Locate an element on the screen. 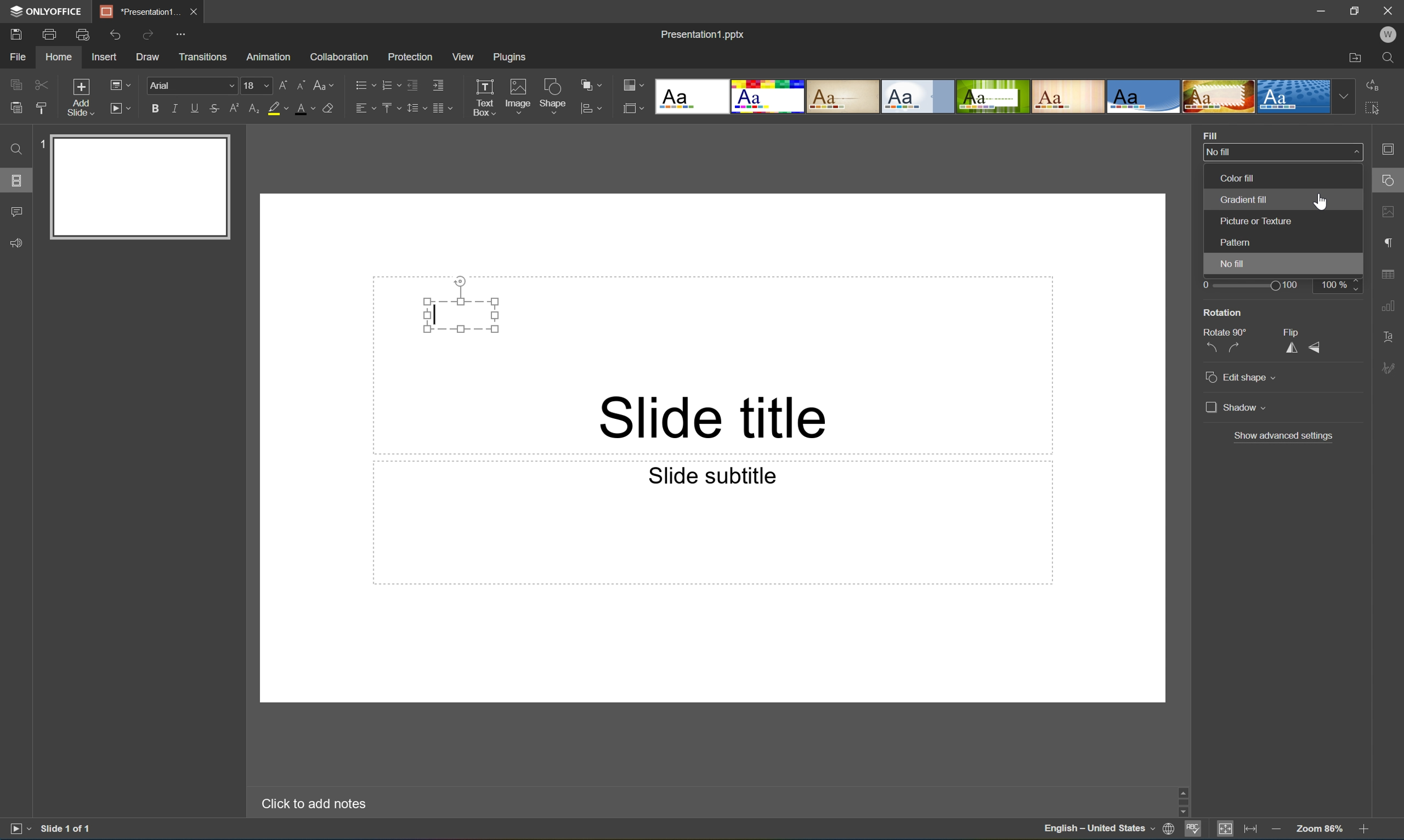  Rotate 90° is located at coordinates (1225, 331).